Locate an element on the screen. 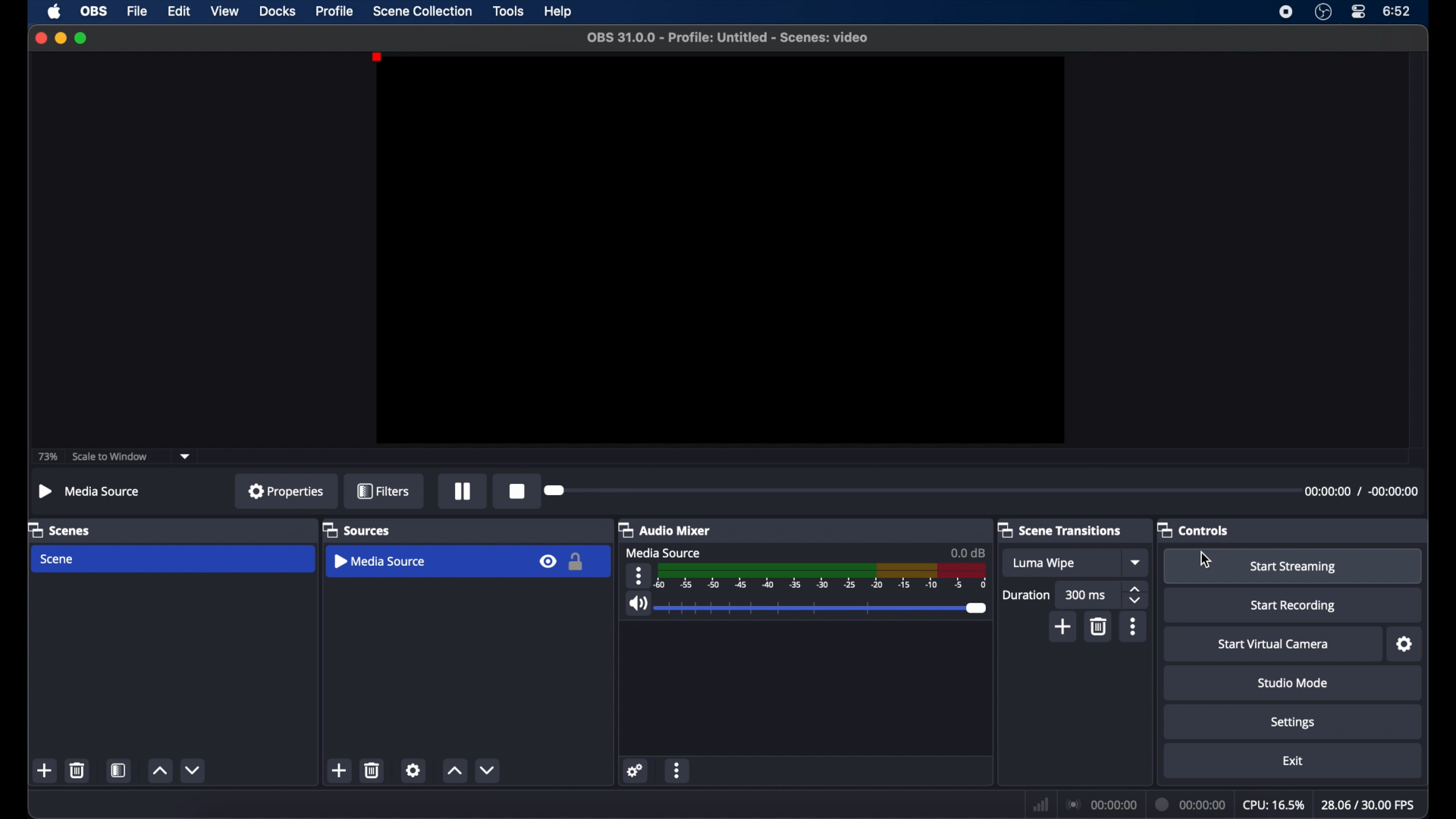 This screenshot has height=819, width=1456. help is located at coordinates (559, 12).